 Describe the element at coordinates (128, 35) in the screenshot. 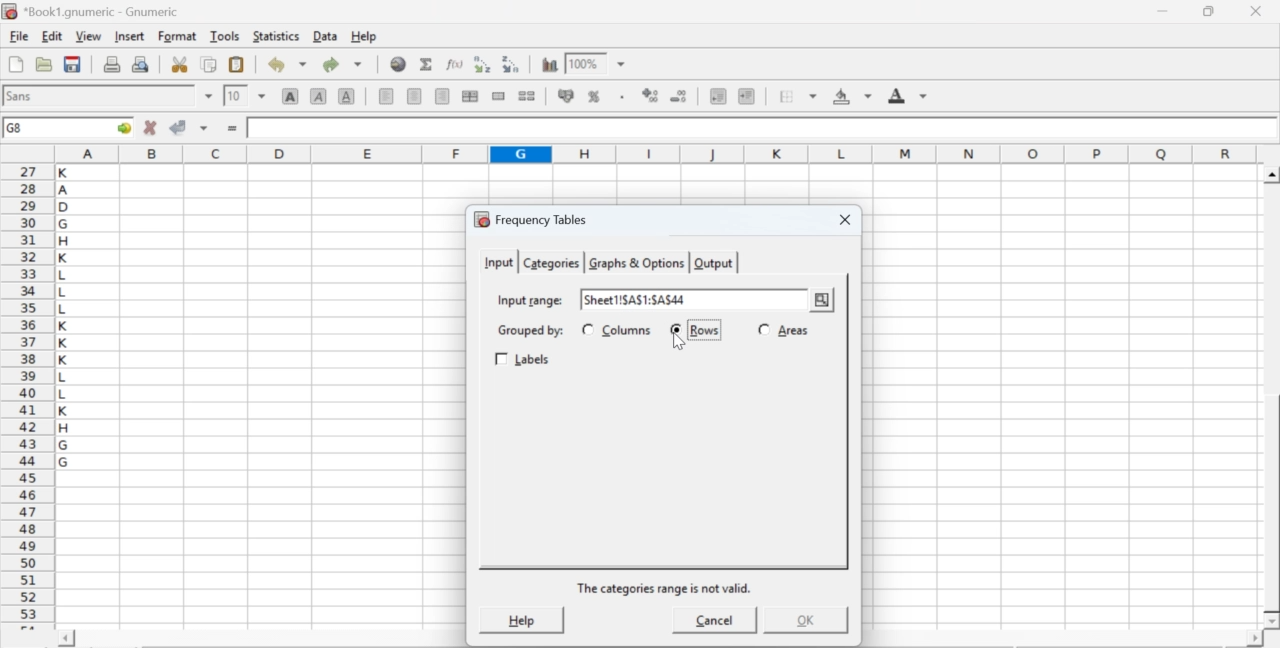

I see `insert` at that location.